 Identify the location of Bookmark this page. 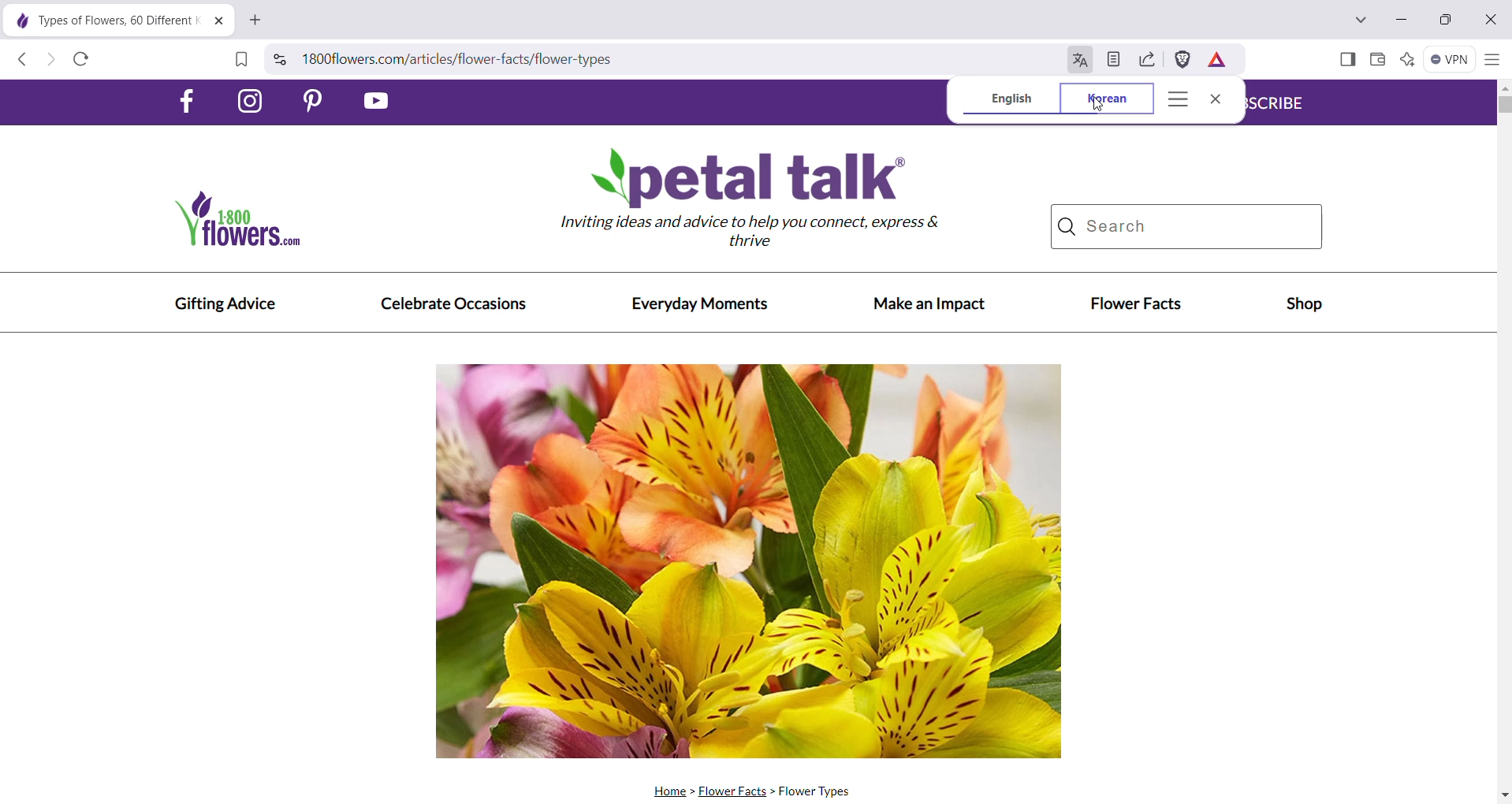
(242, 61).